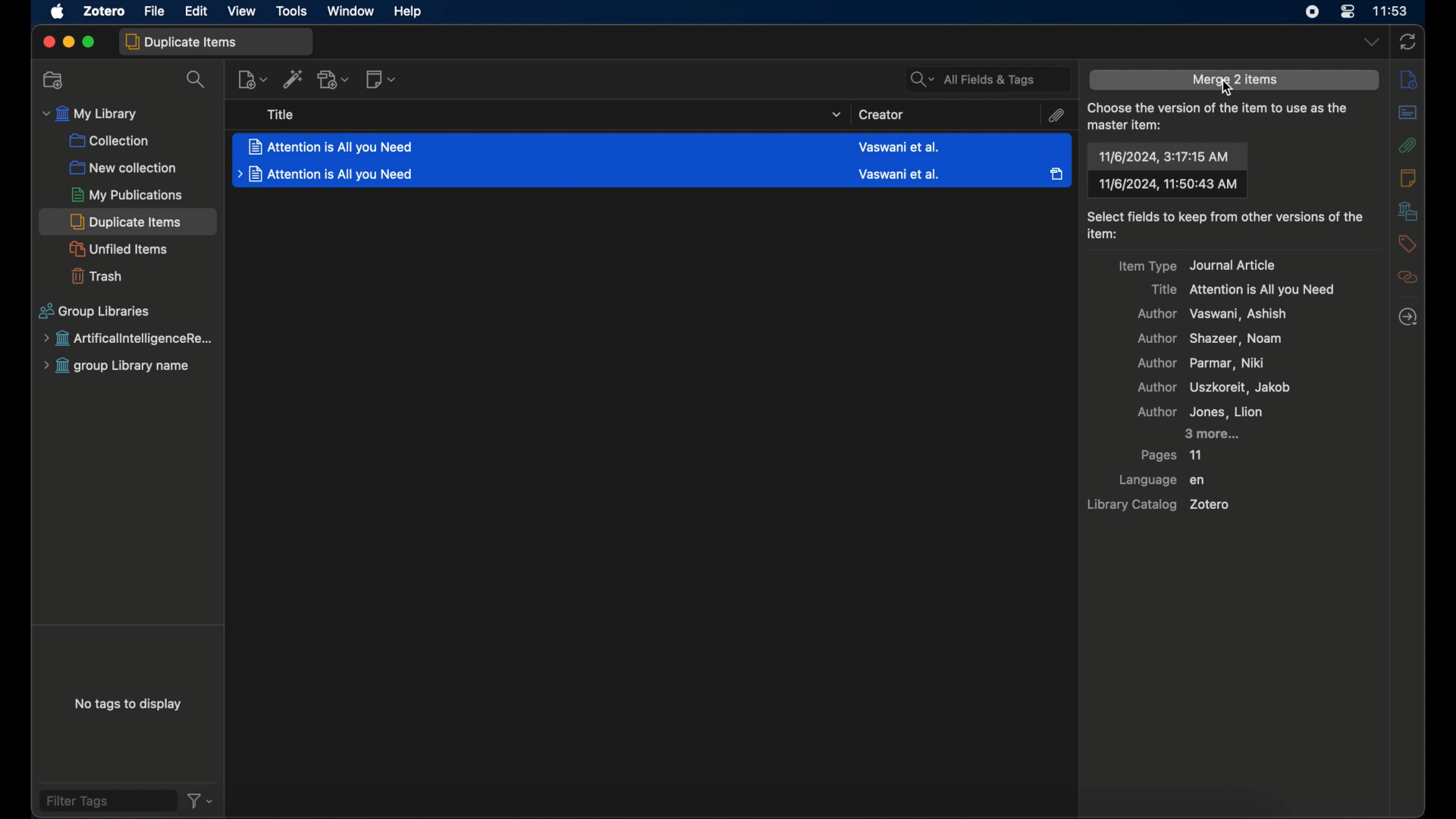  Describe the element at coordinates (1166, 184) in the screenshot. I see `date and time` at that location.